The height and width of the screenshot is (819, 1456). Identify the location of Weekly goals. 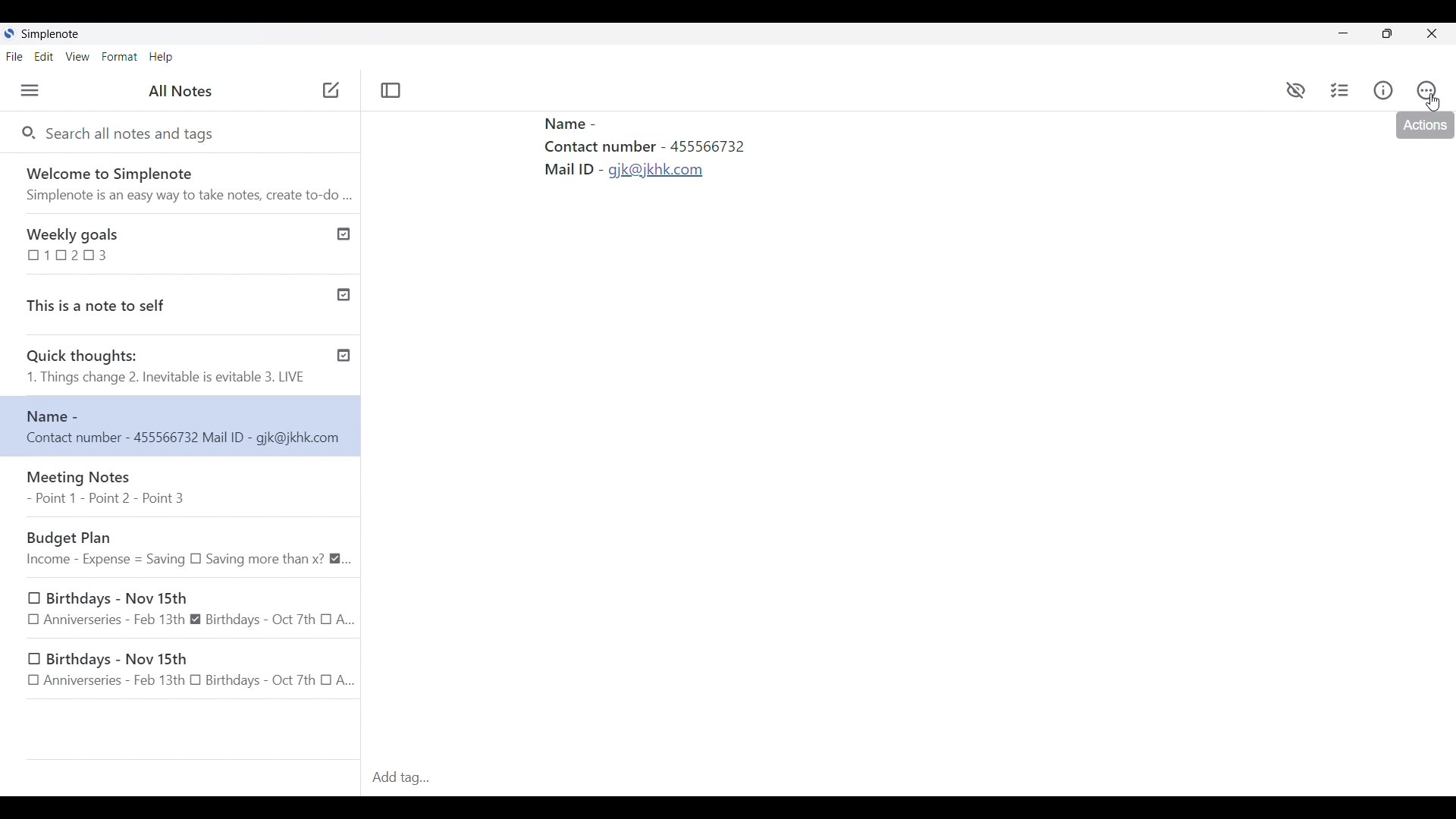
(162, 243).